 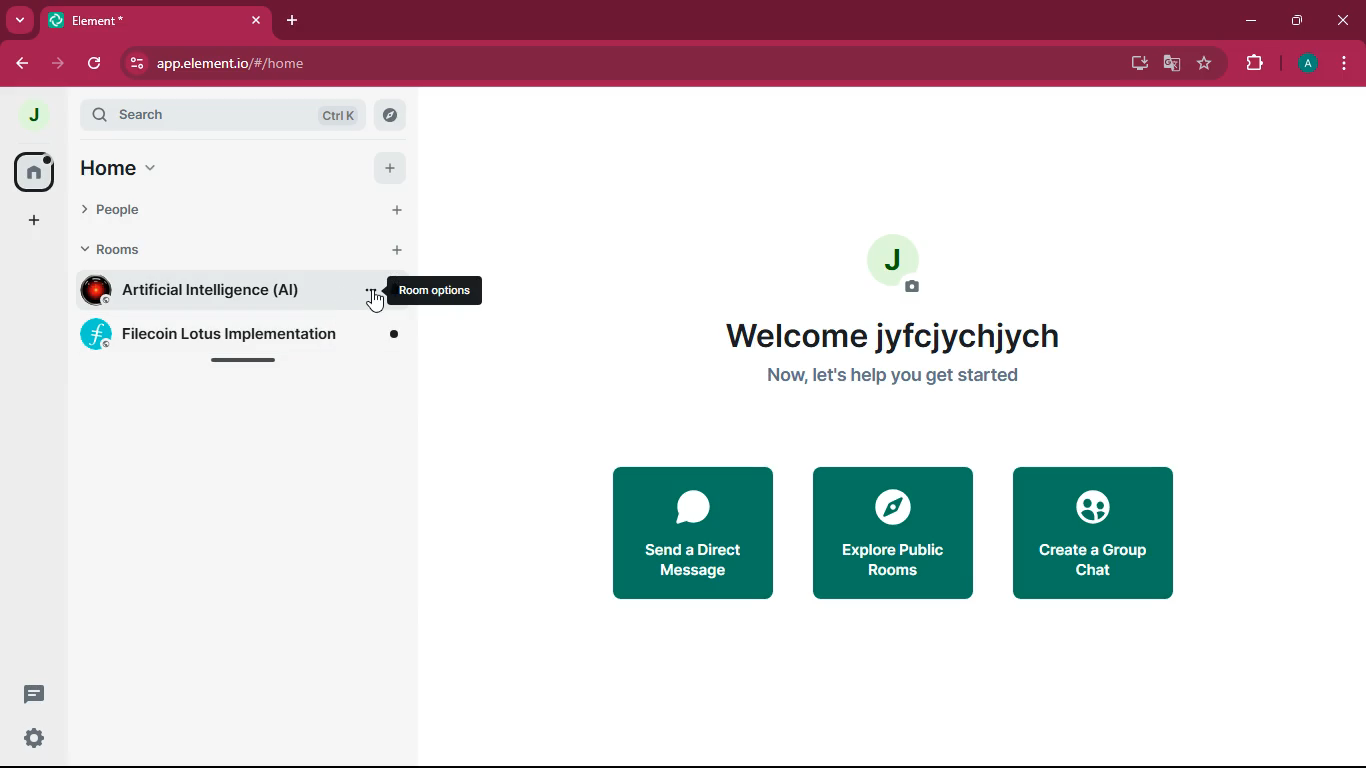 I want to click on google translate, so click(x=1170, y=65).